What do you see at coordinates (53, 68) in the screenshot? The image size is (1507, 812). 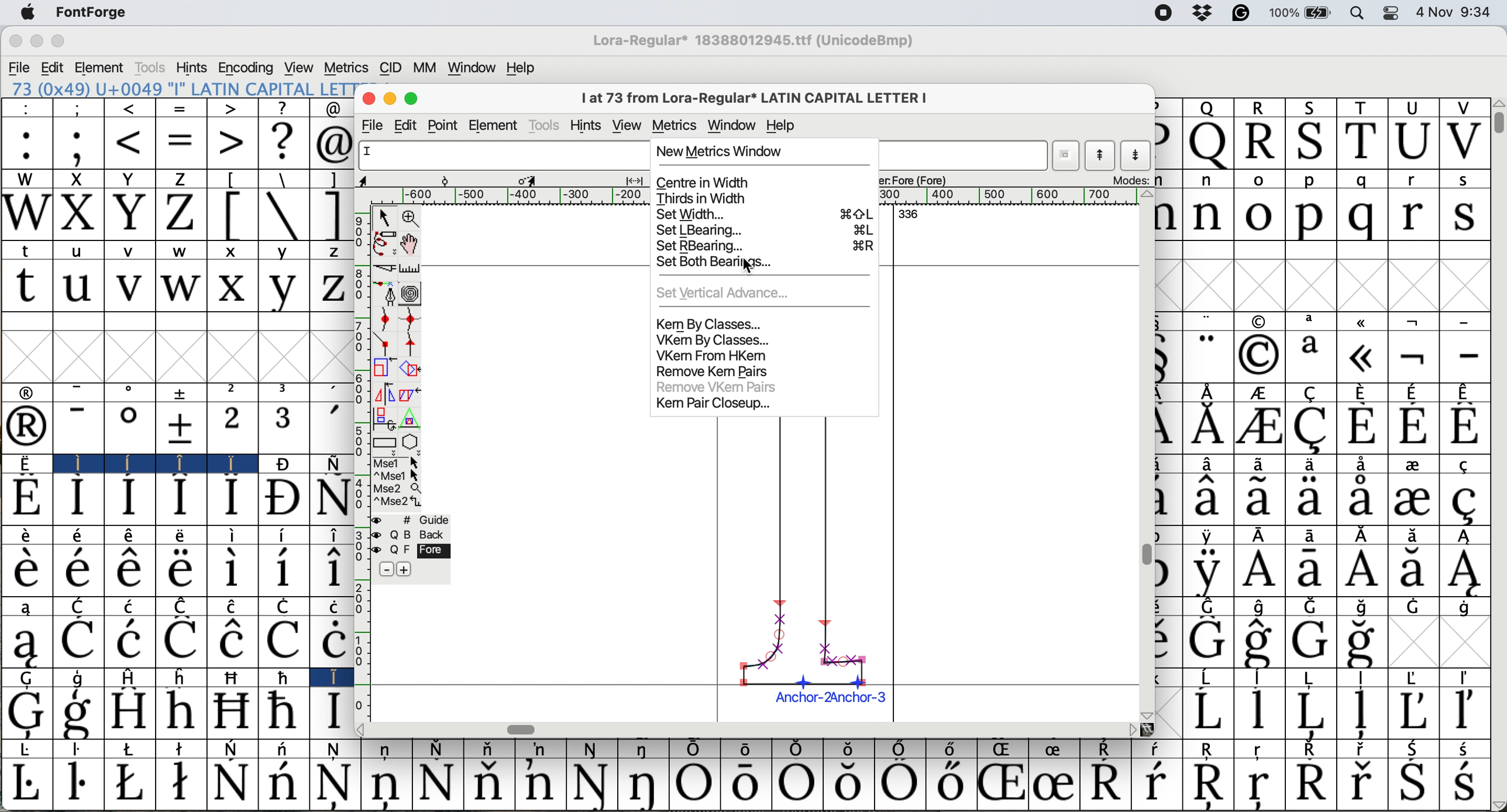 I see `edit` at bounding box center [53, 68].